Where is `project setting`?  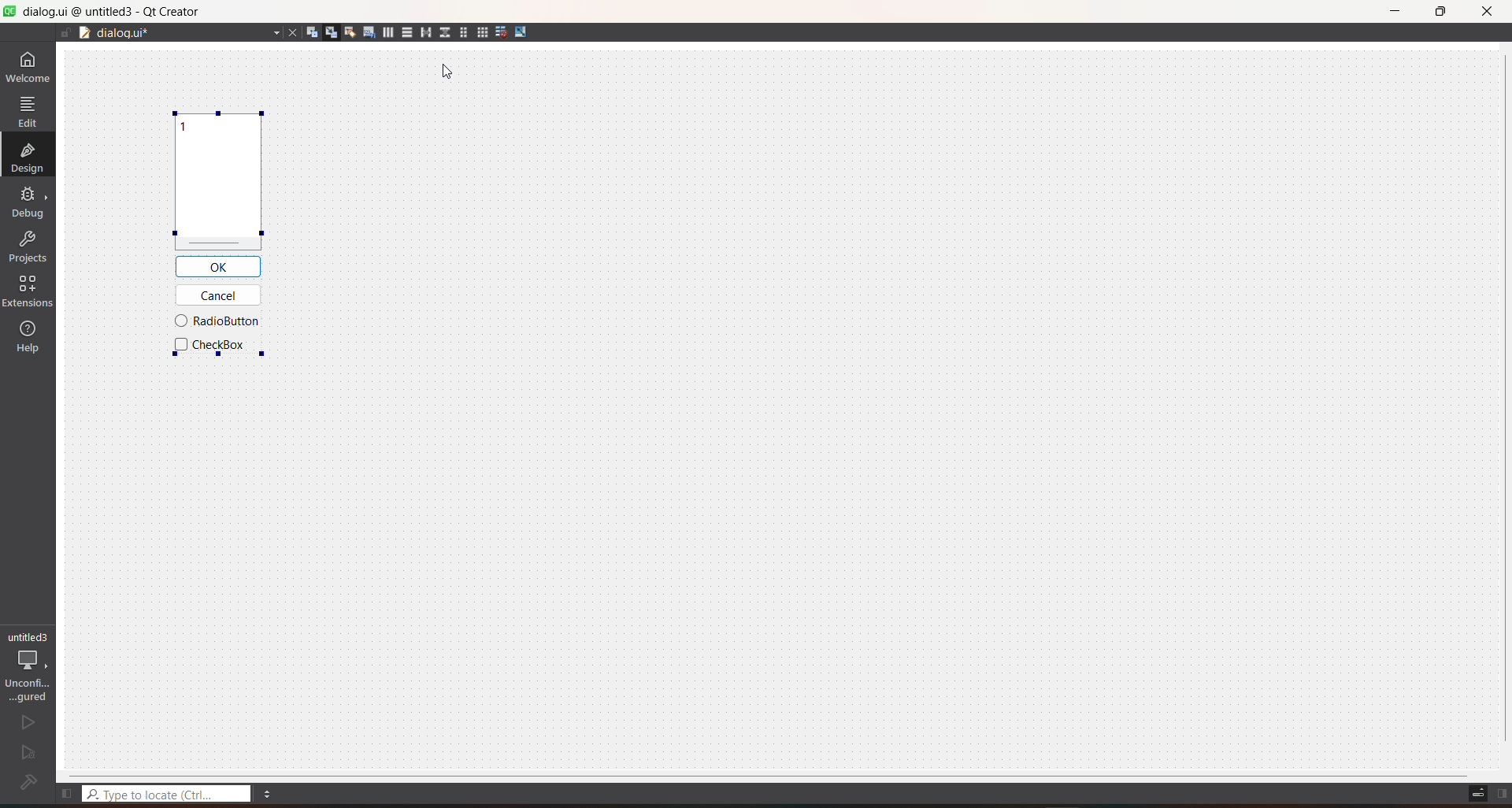 project setting is located at coordinates (30, 665).